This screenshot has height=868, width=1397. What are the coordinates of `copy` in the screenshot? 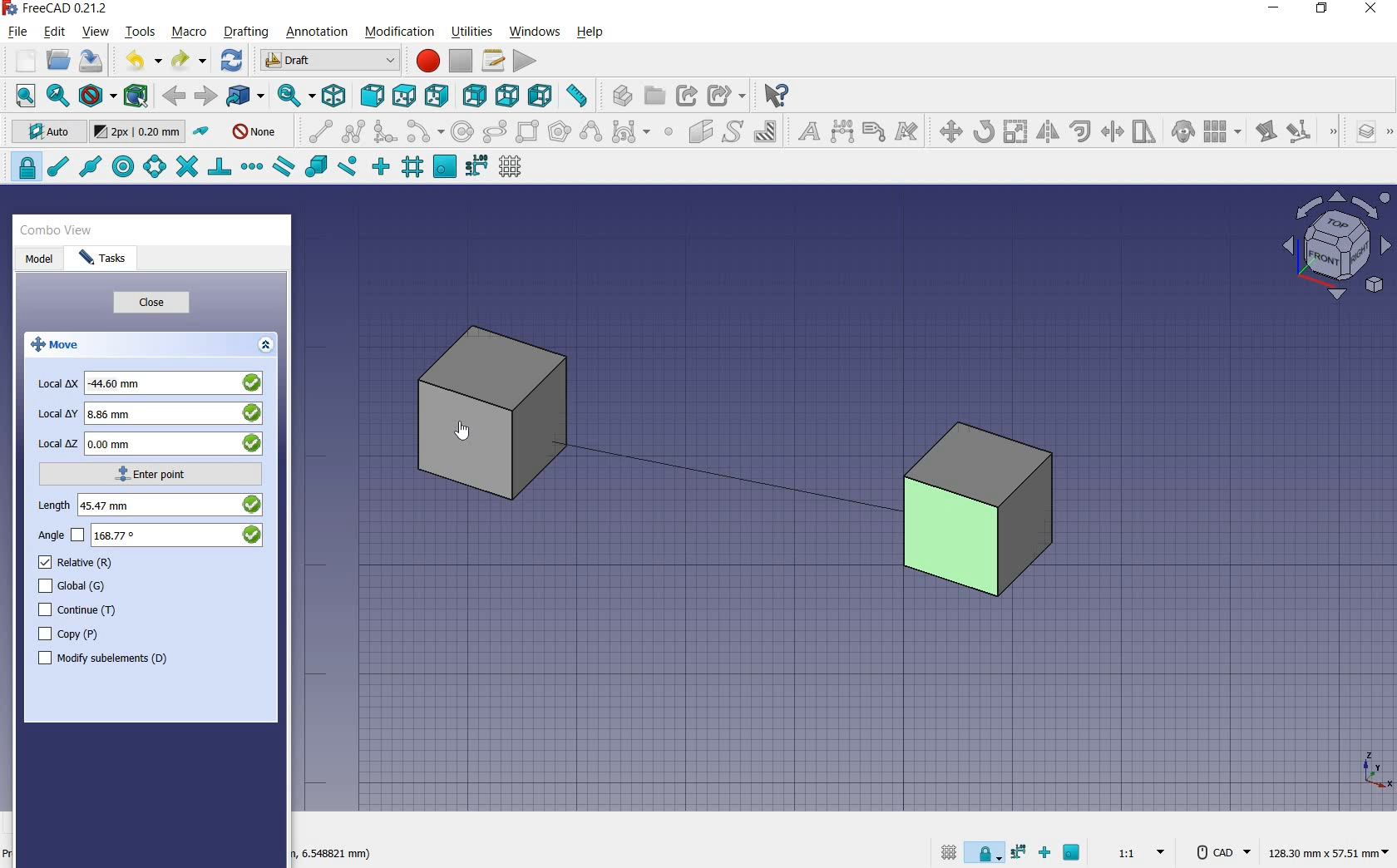 It's located at (72, 635).